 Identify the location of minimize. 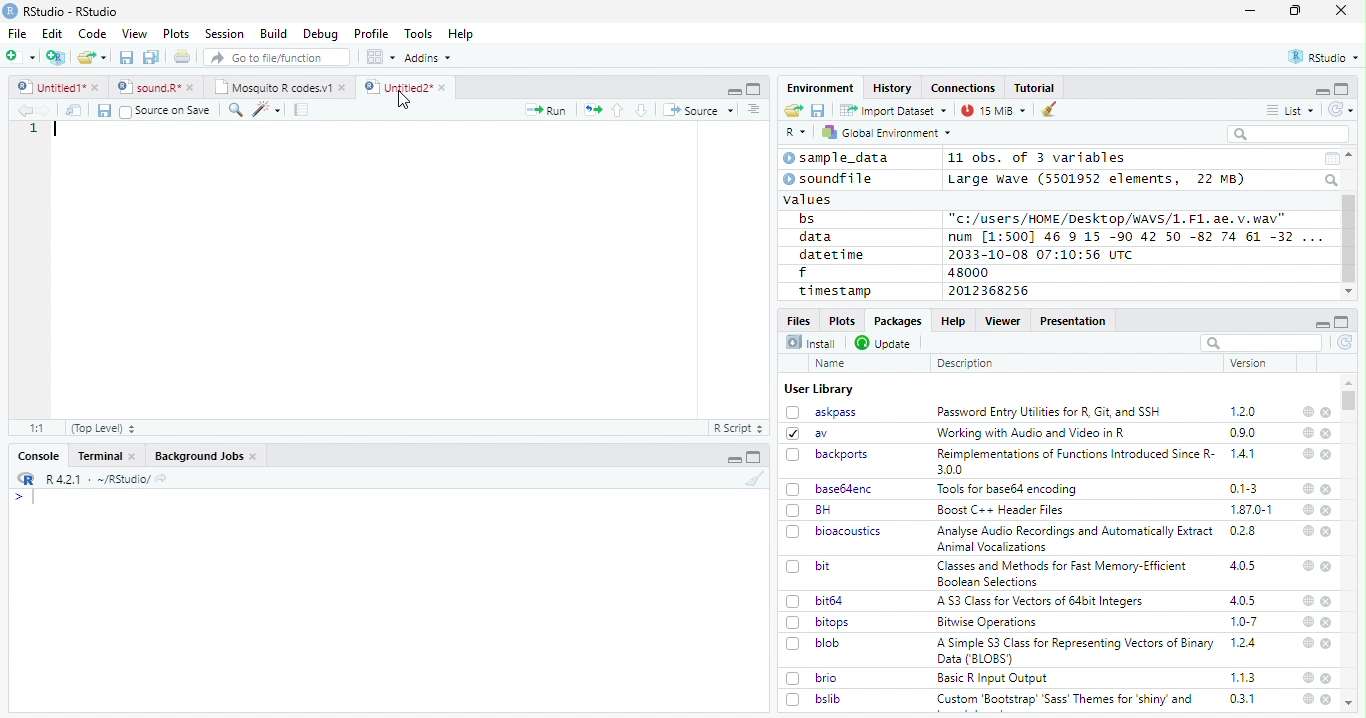
(1321, 322).